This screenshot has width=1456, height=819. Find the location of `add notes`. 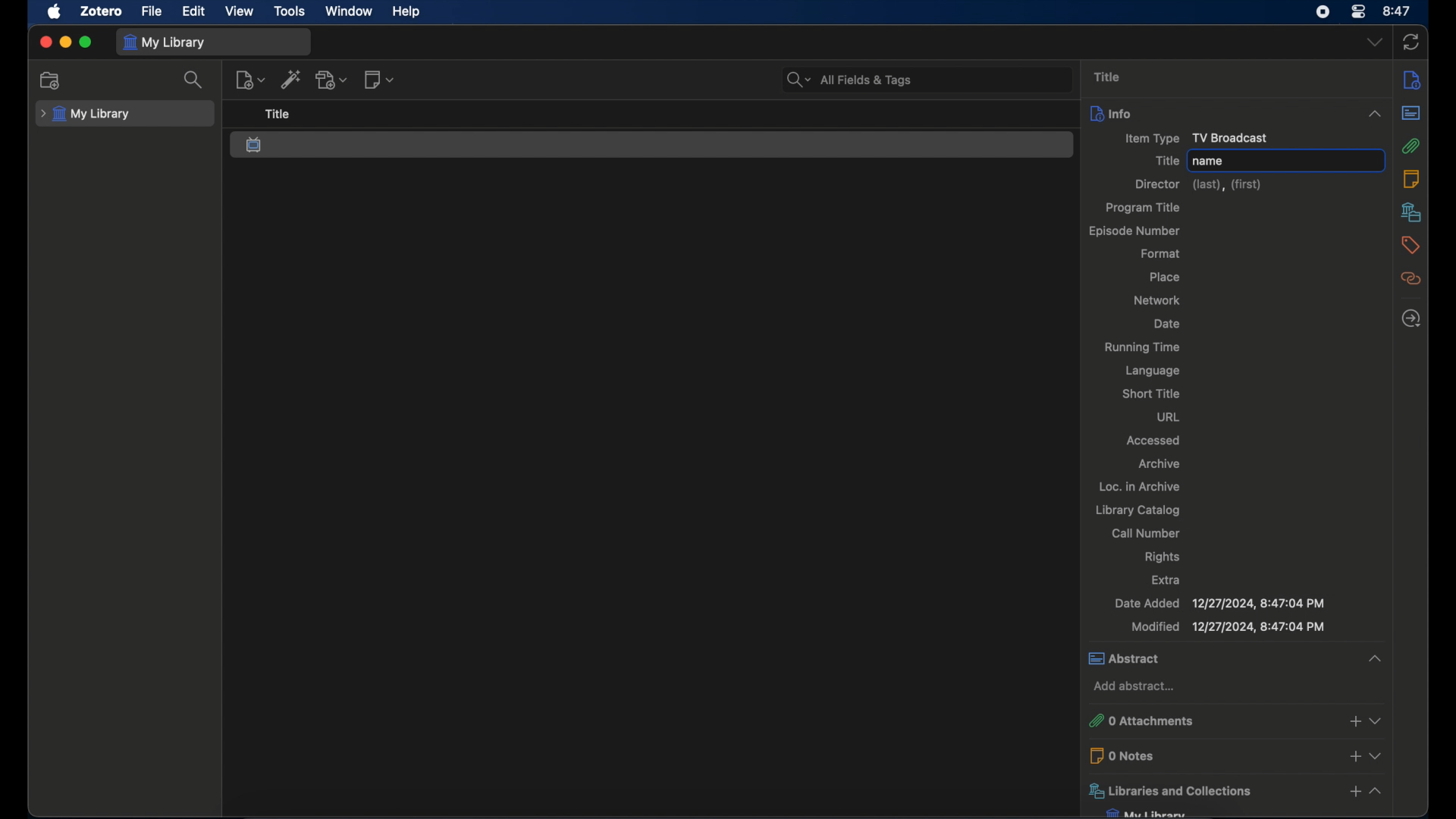

add notes is located at coordinates (1353, 755).